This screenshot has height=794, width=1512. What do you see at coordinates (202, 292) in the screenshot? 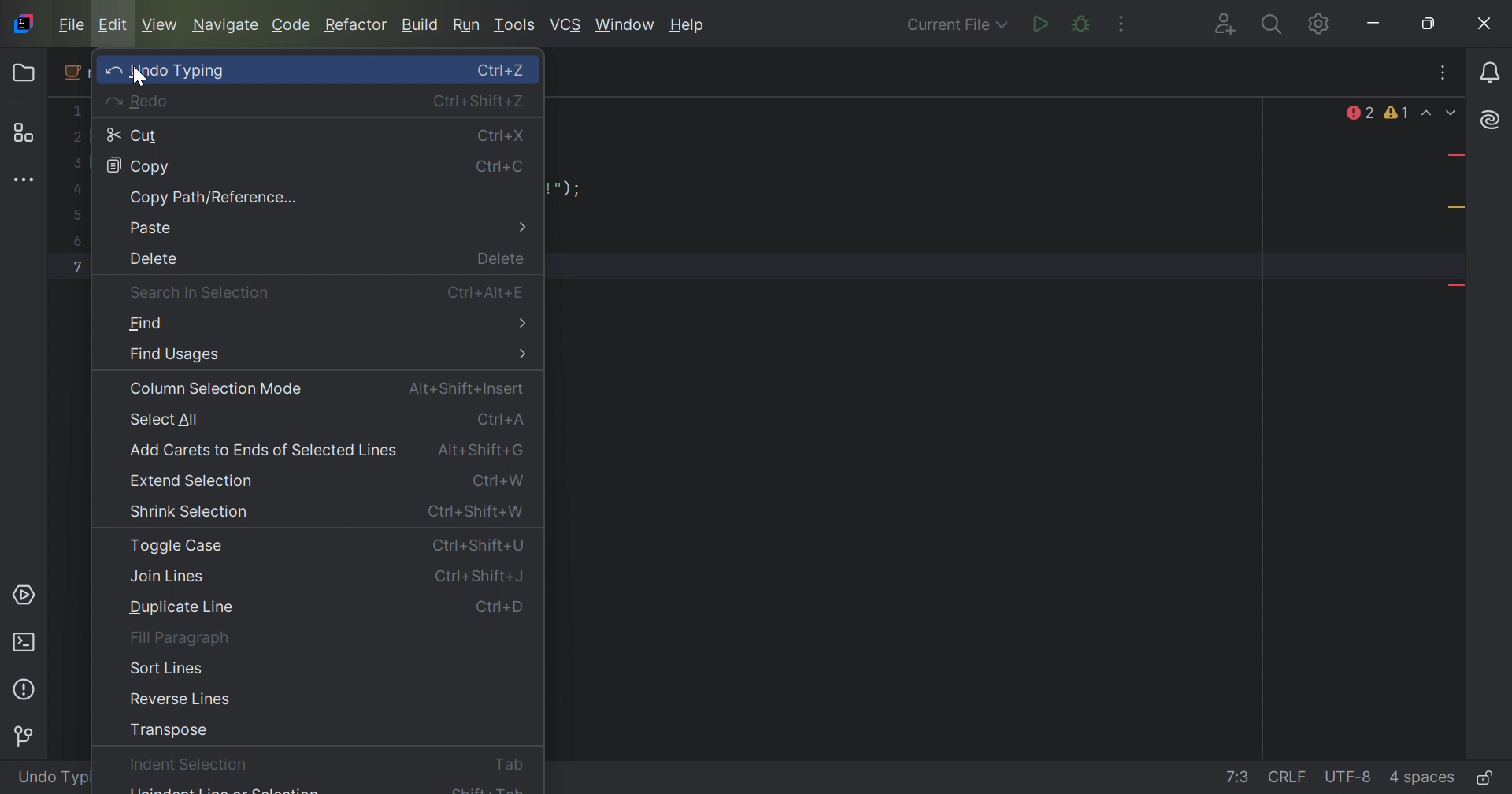
I see `Search in Selection` at bounding box center [202, 292].